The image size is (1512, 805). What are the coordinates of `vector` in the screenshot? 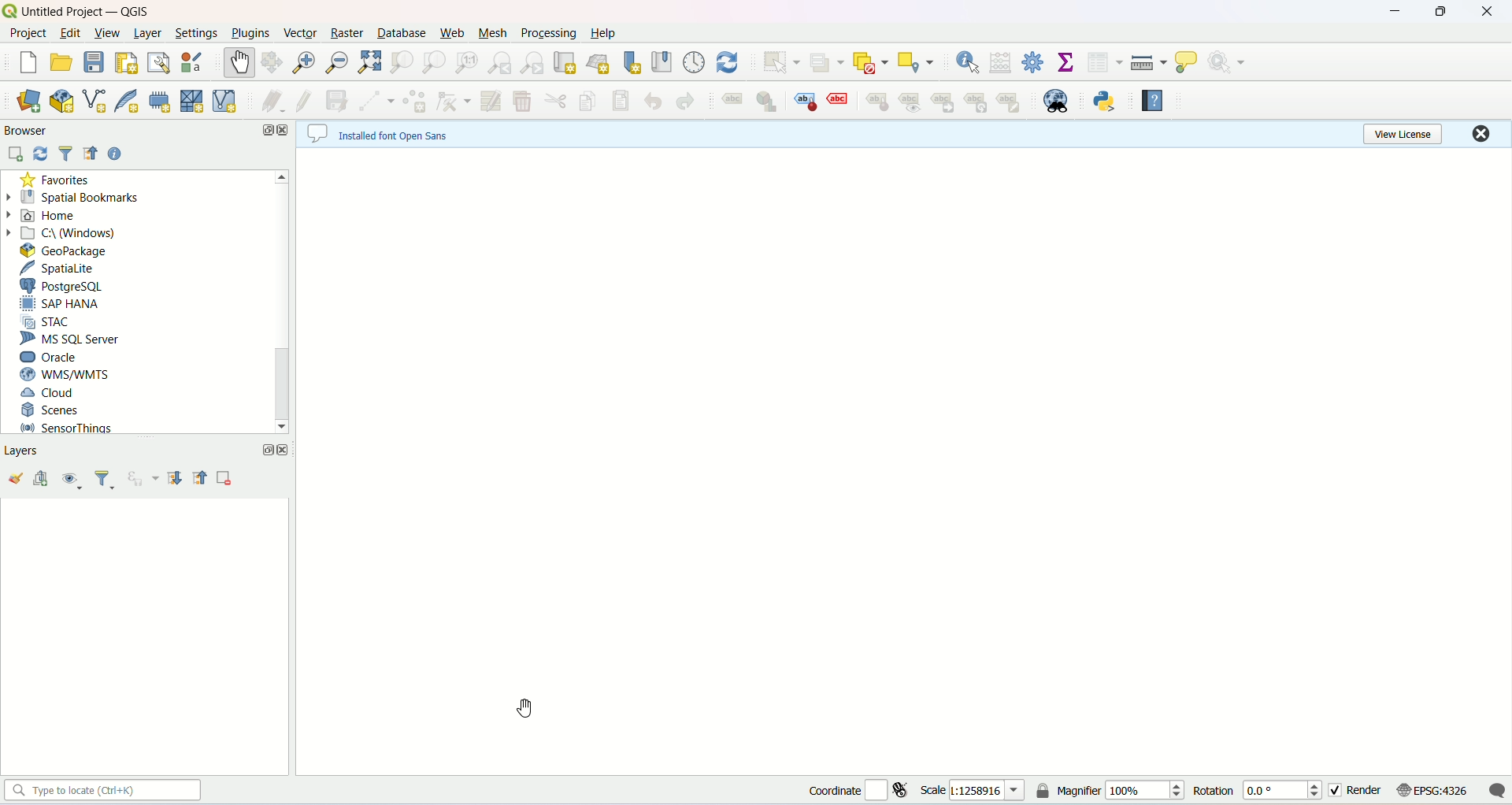 It's located at (301, 34).